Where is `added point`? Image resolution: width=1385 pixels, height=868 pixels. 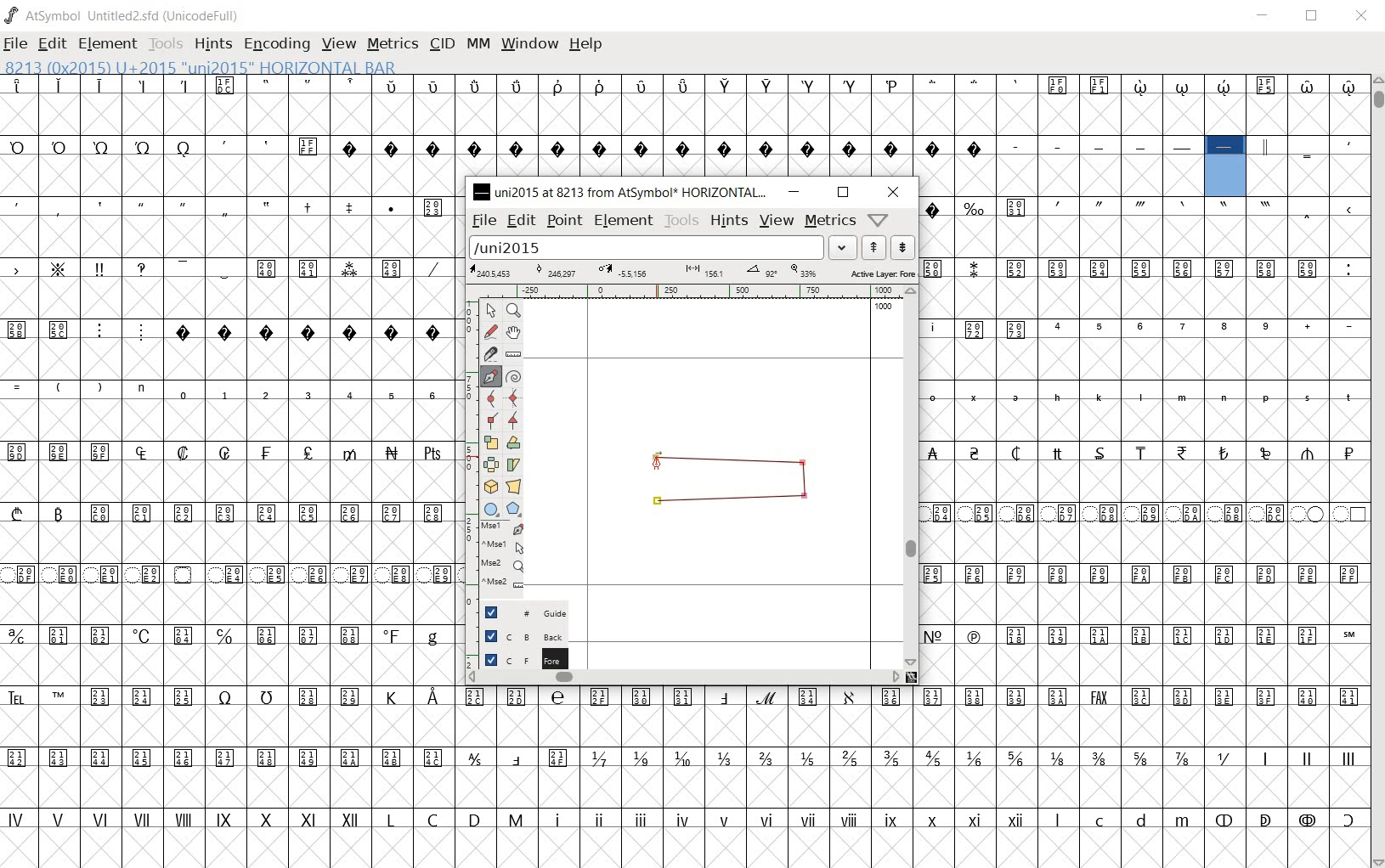 added point is located at coordinates (656, 457).